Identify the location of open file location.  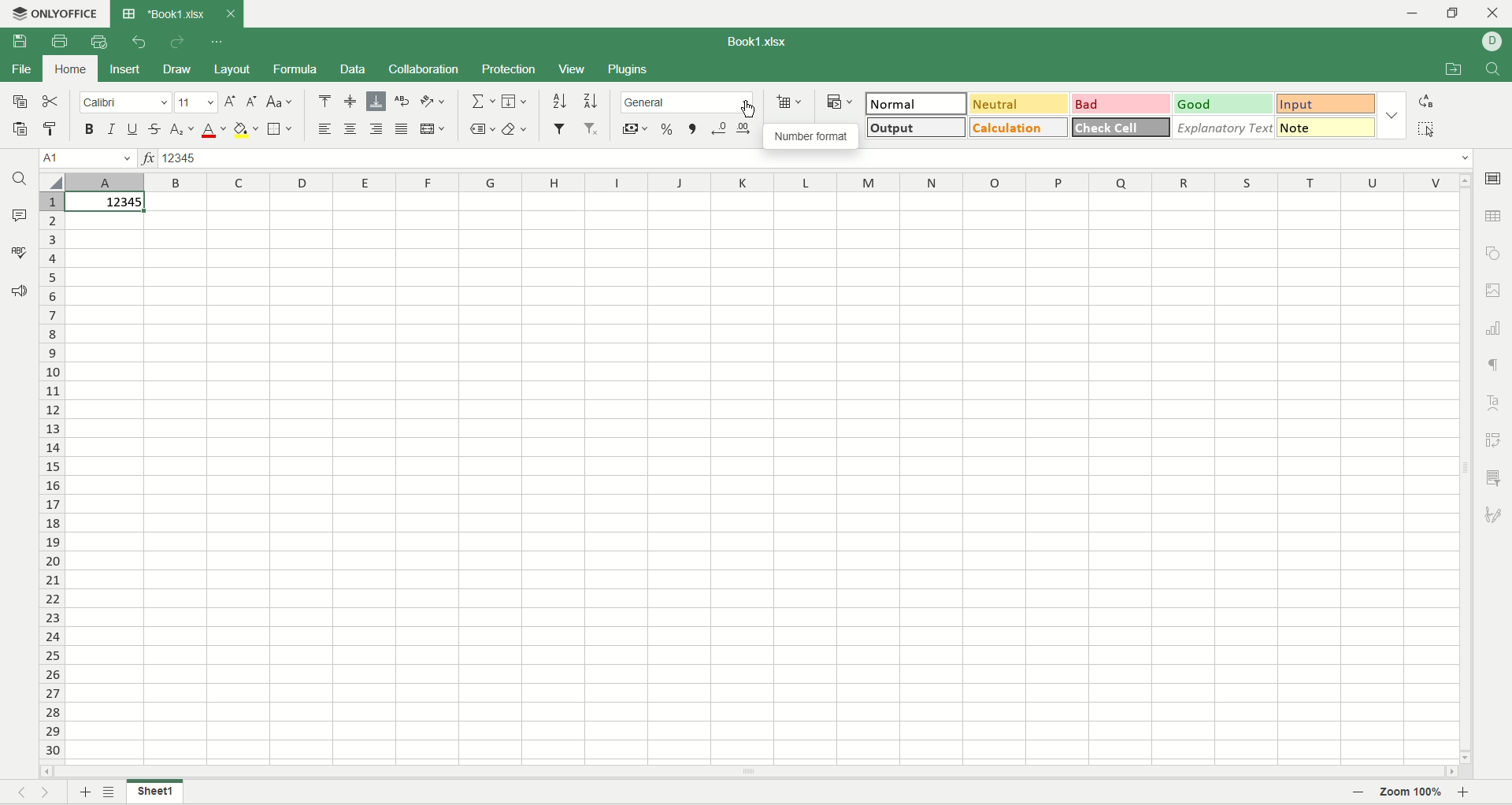
(1456, 70).